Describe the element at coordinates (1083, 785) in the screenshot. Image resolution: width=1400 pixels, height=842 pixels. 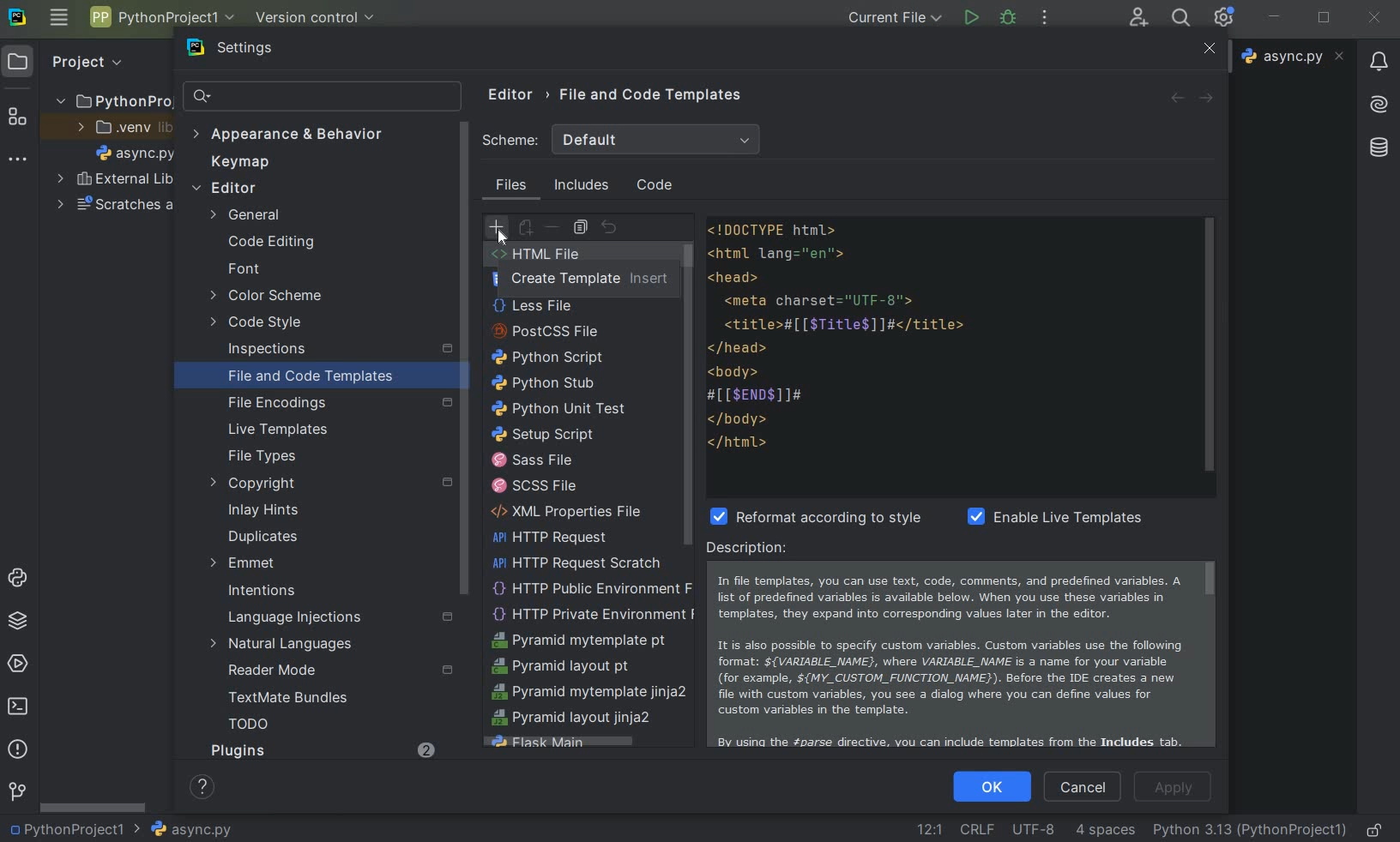
I see `cancel` at that location.